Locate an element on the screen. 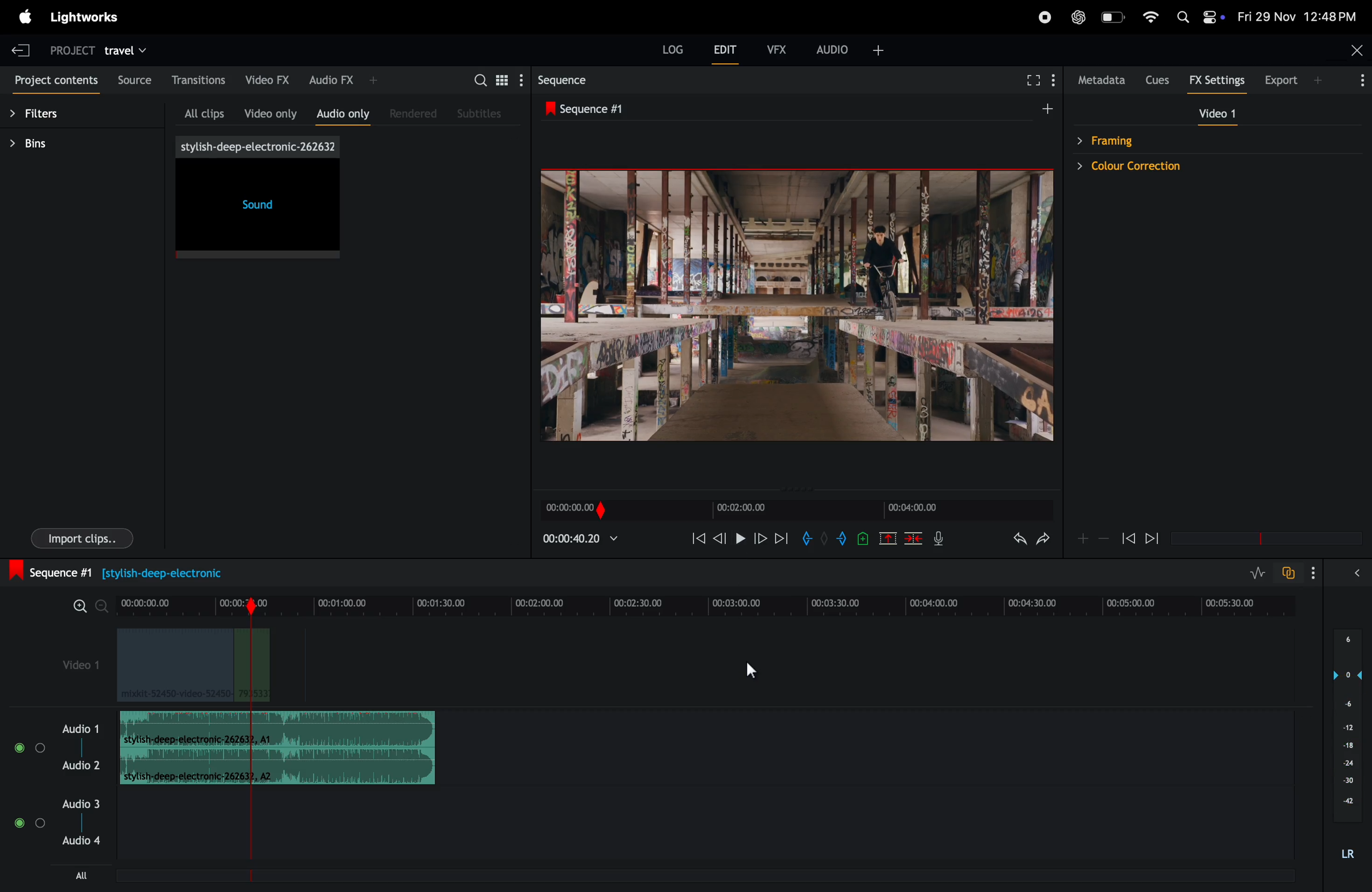 The image size is (1372, 892). zoom out is located at coordinates (1106, 540).